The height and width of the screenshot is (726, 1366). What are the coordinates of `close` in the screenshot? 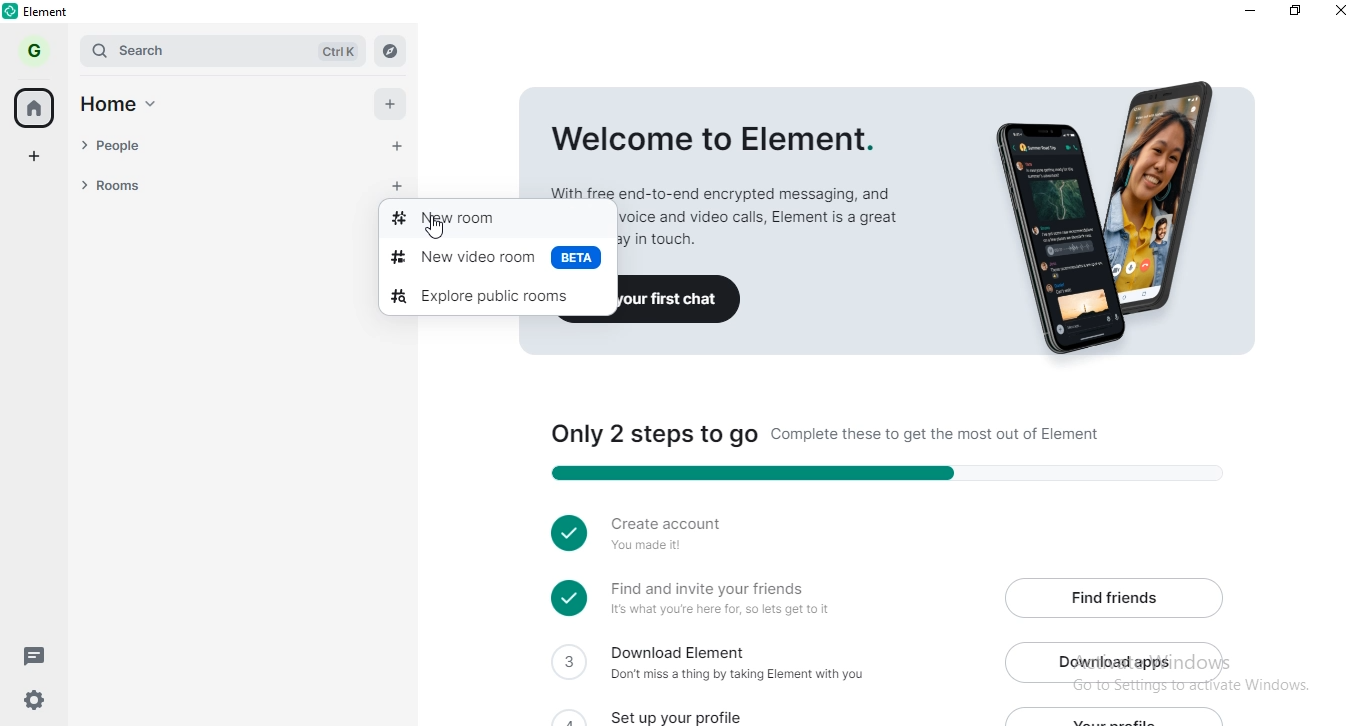 It's located at (1344, 13).